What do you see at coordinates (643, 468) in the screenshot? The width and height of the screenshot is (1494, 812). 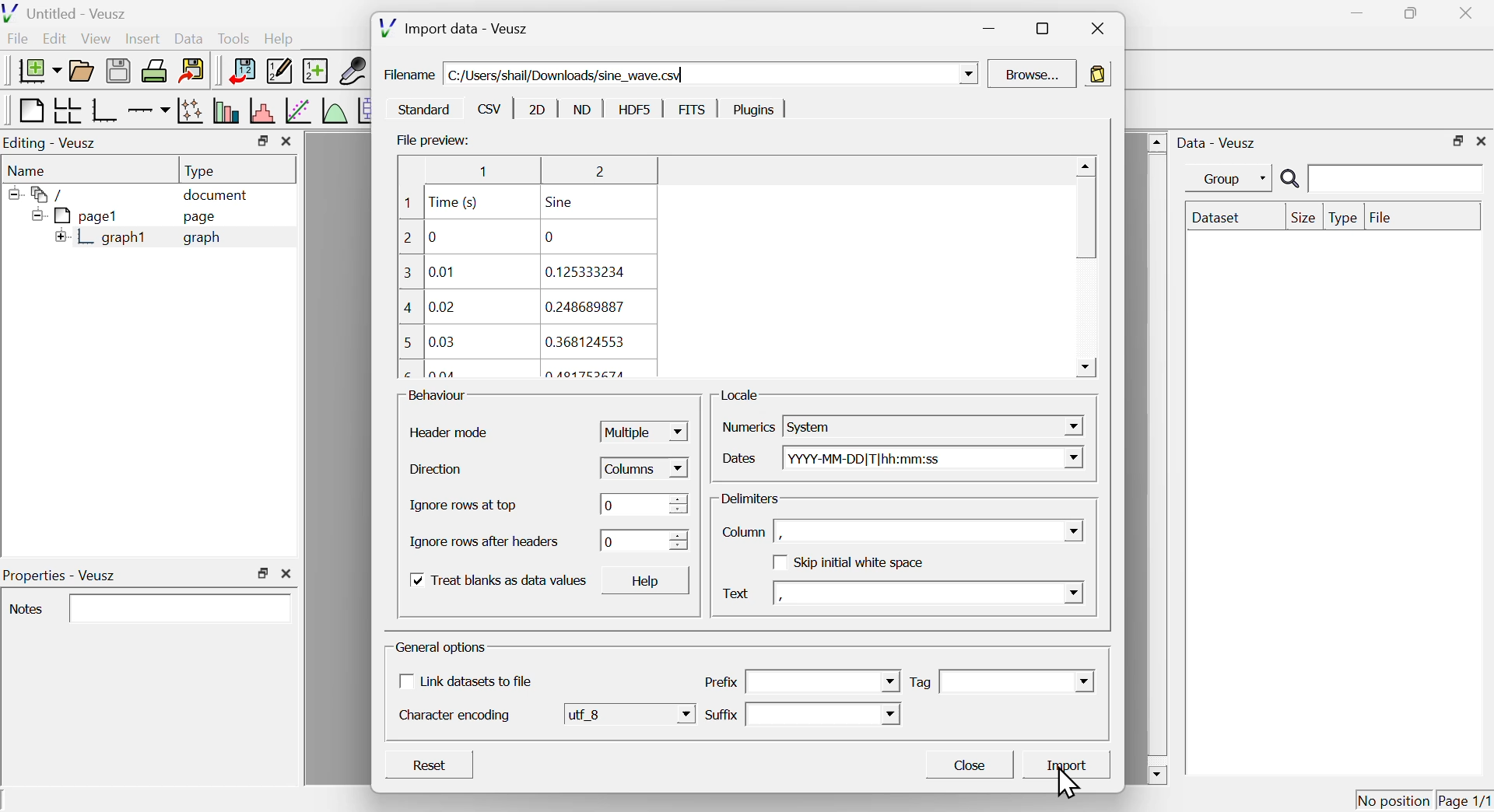 I see `Columns ` at bounding box center [643, 468].